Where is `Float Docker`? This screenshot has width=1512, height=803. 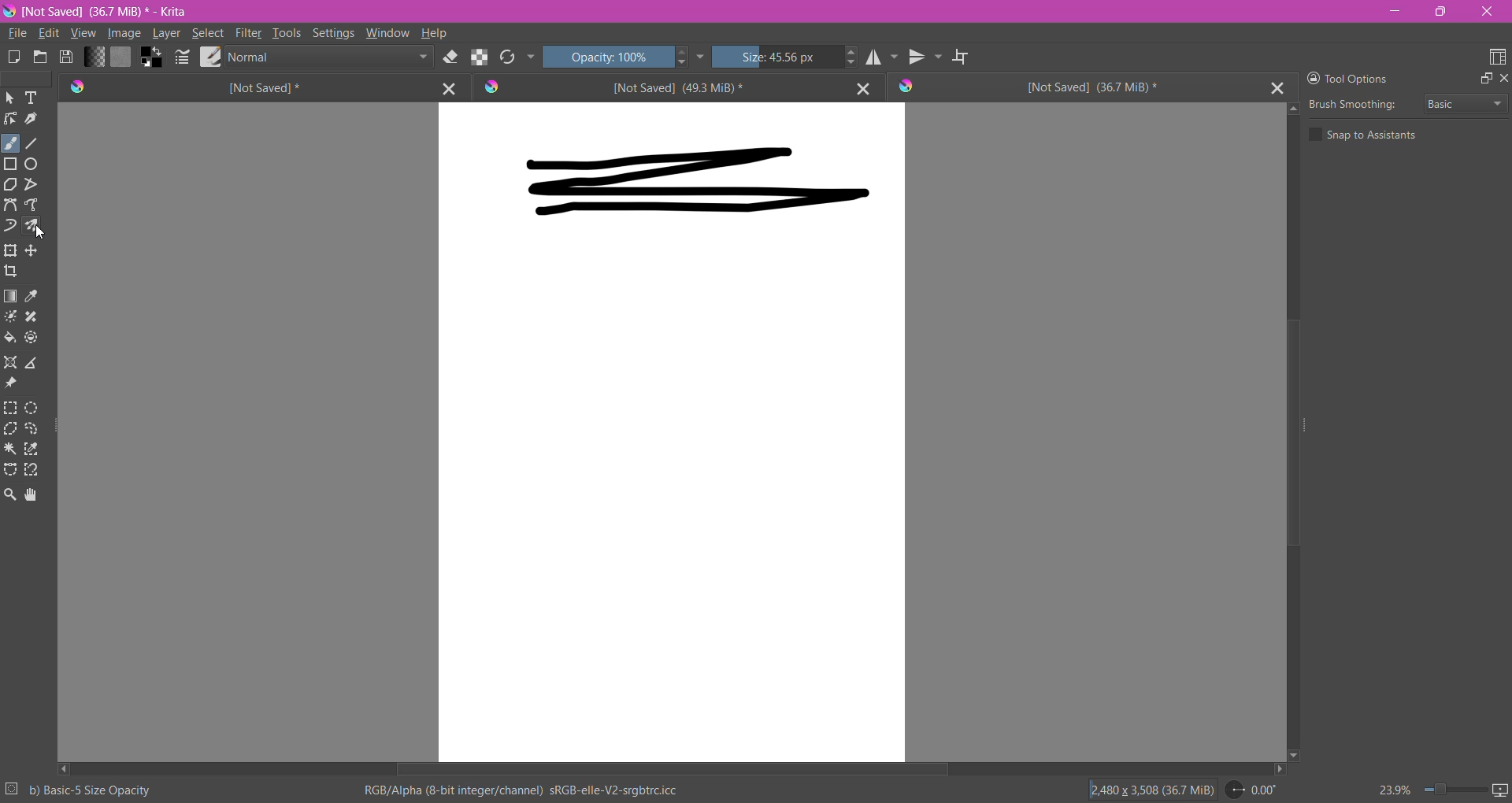
Float Docker is located at coordinates (1484, 79).